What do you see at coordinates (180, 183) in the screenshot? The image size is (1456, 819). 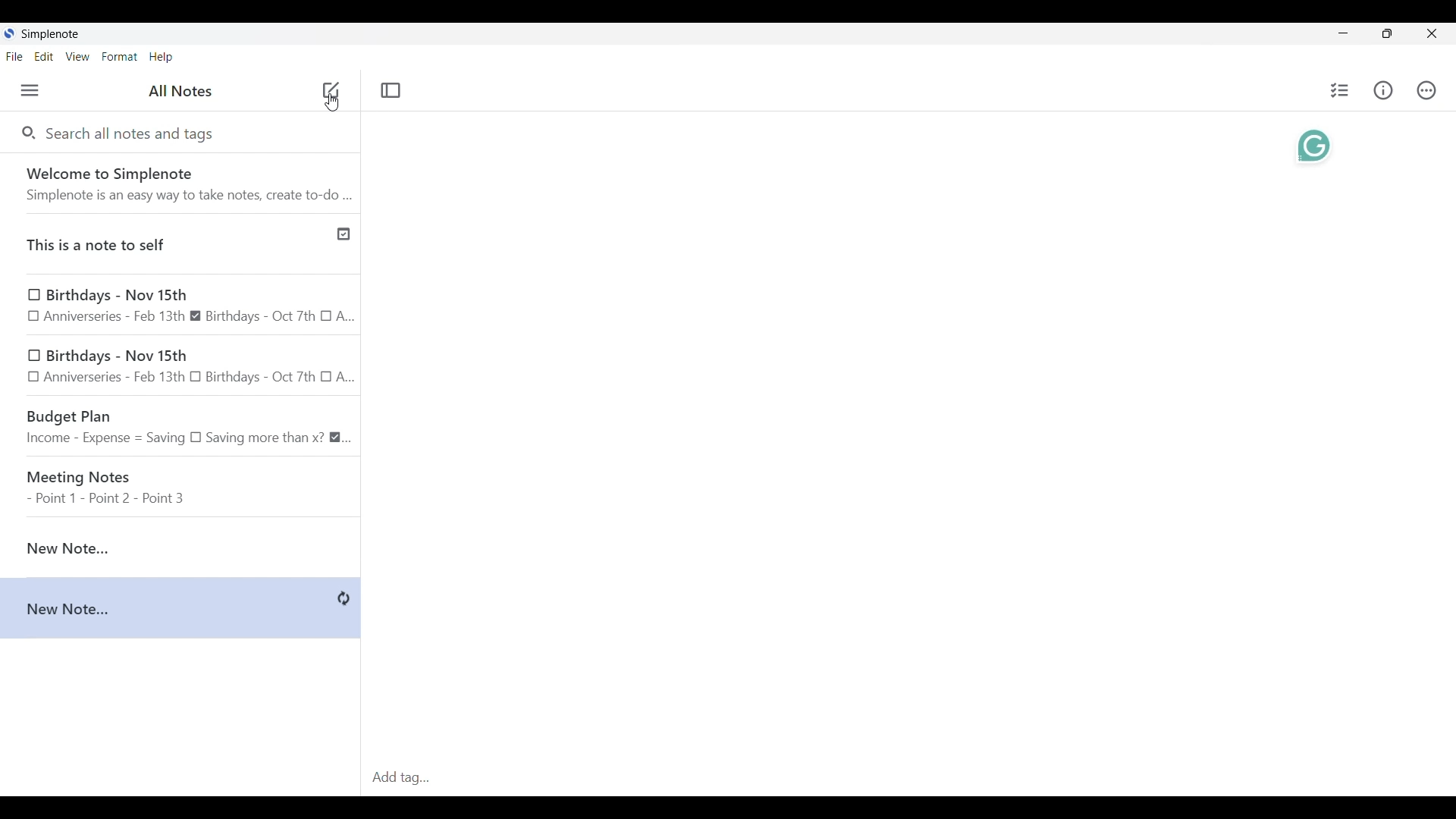 I see `Welcome note from software ` at bounding box center [180, 183].